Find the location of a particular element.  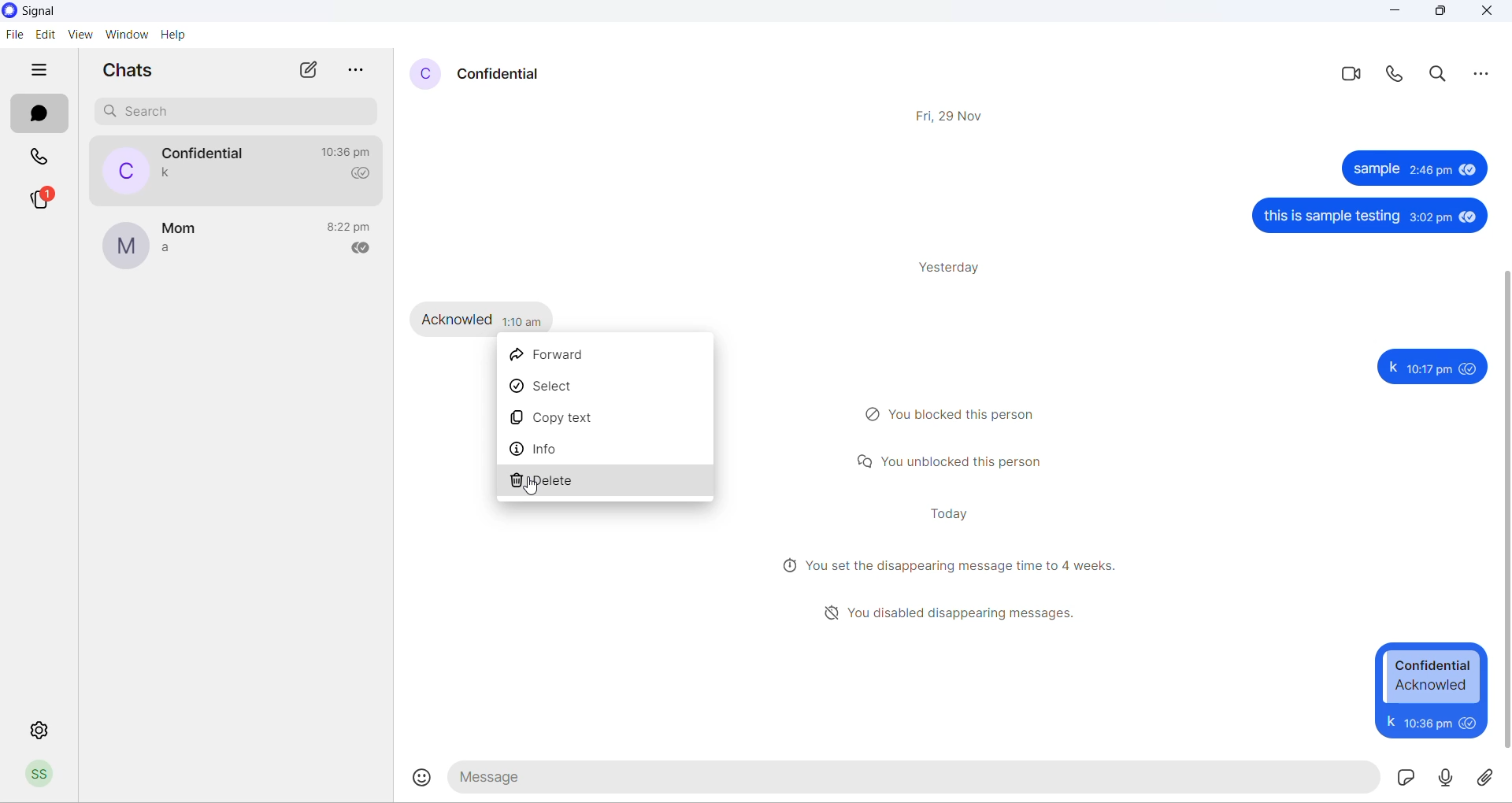

block notification is located at coordinates (953, 413).